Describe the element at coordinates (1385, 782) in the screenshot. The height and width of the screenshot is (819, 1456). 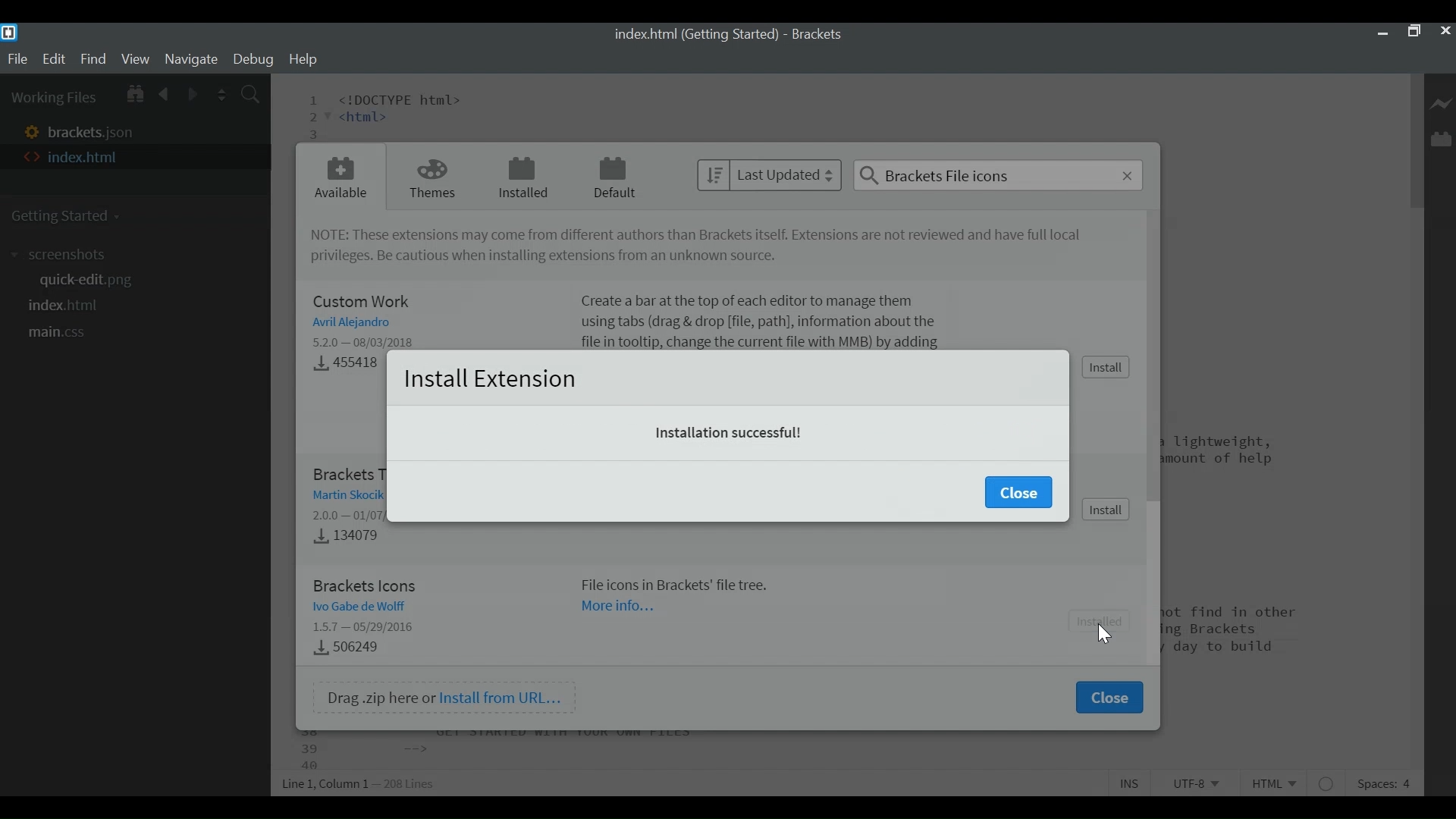
I see `Spaces` at that location.